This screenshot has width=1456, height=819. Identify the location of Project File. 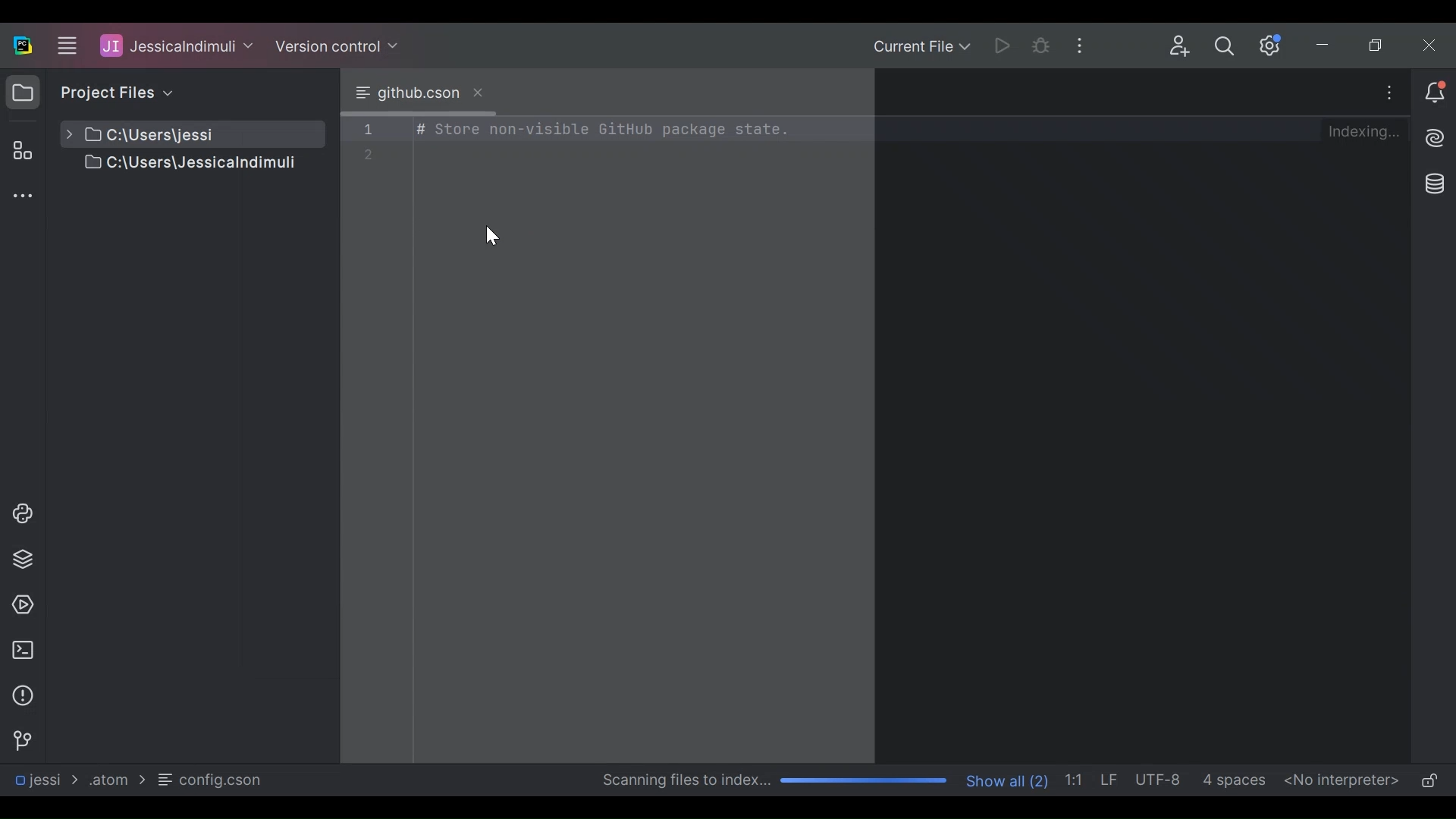
(174, 165).